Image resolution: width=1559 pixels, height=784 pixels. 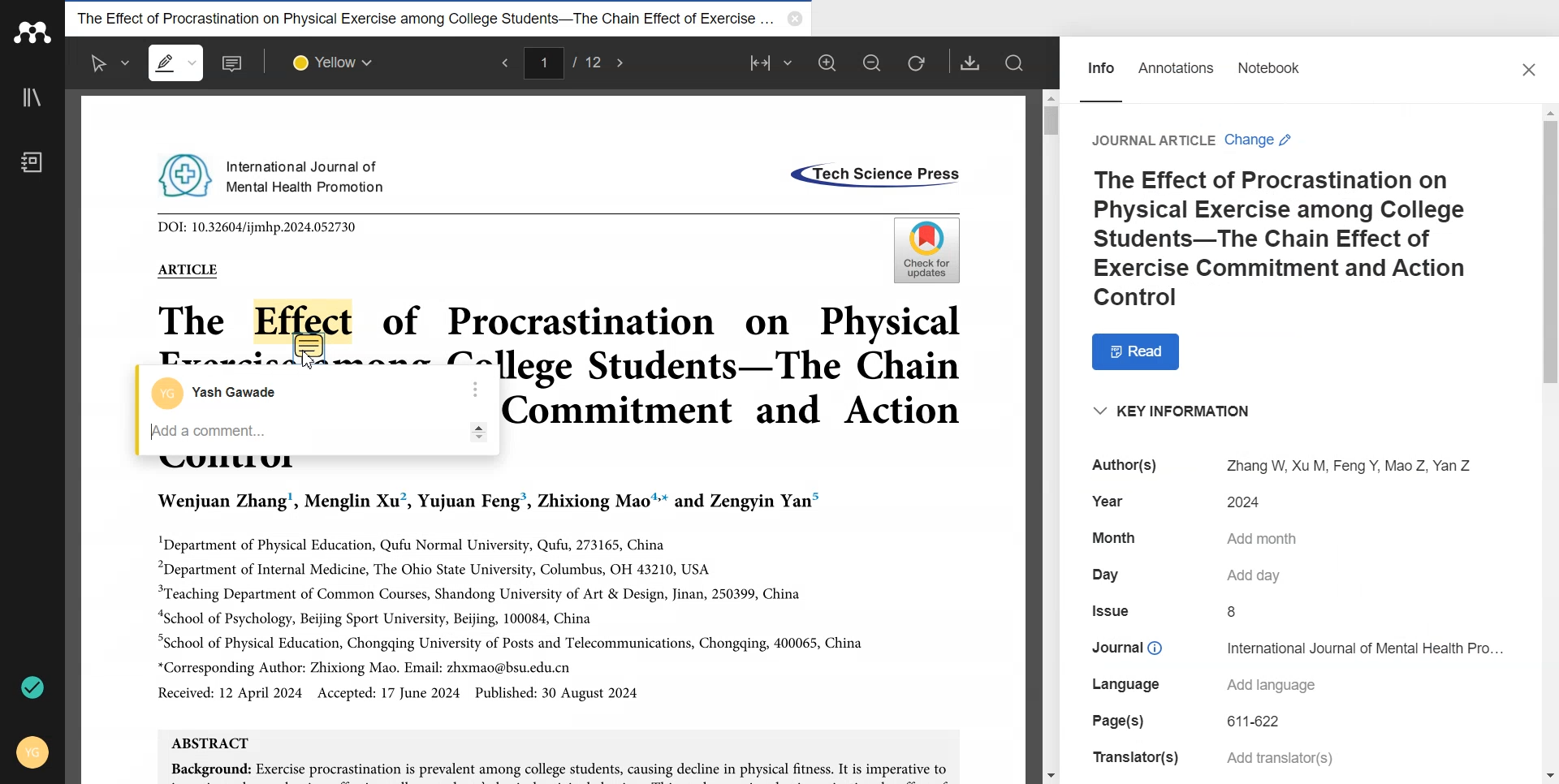 I want to click on Page(s) 611-622, so click(x=1193, y=722).